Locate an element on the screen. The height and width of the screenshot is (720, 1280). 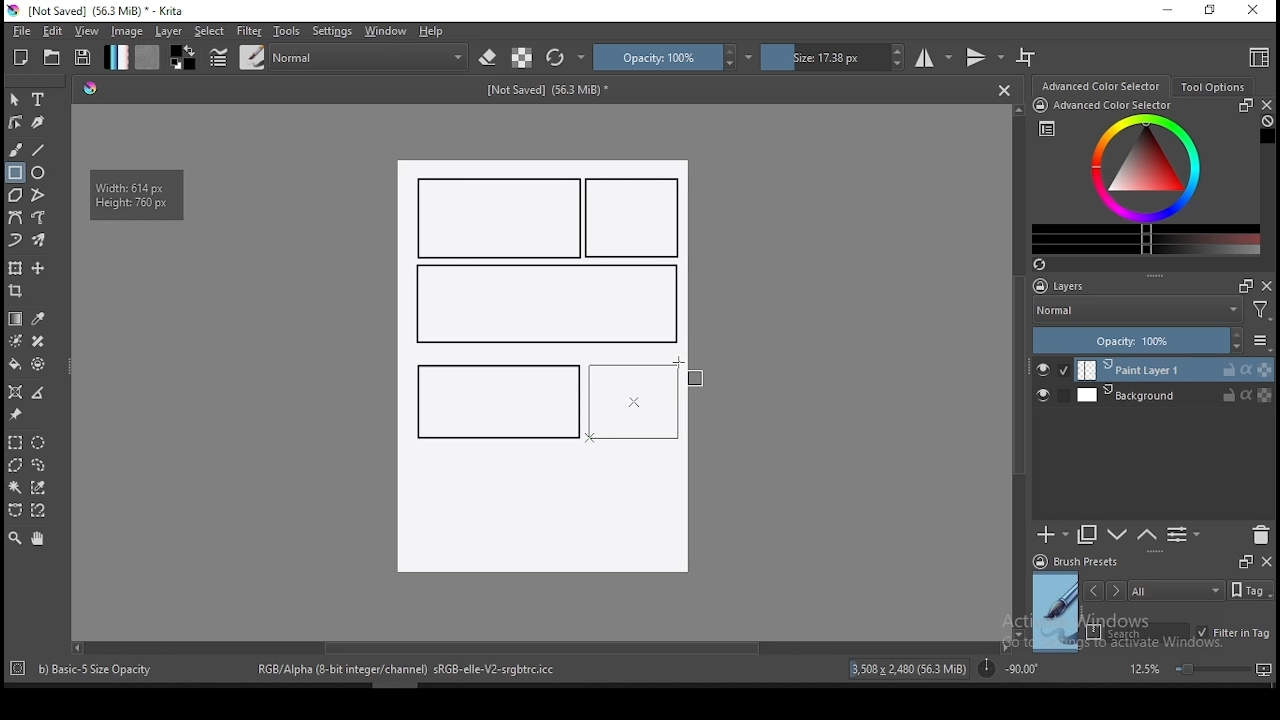
Target is located at coordinates (19, 669).